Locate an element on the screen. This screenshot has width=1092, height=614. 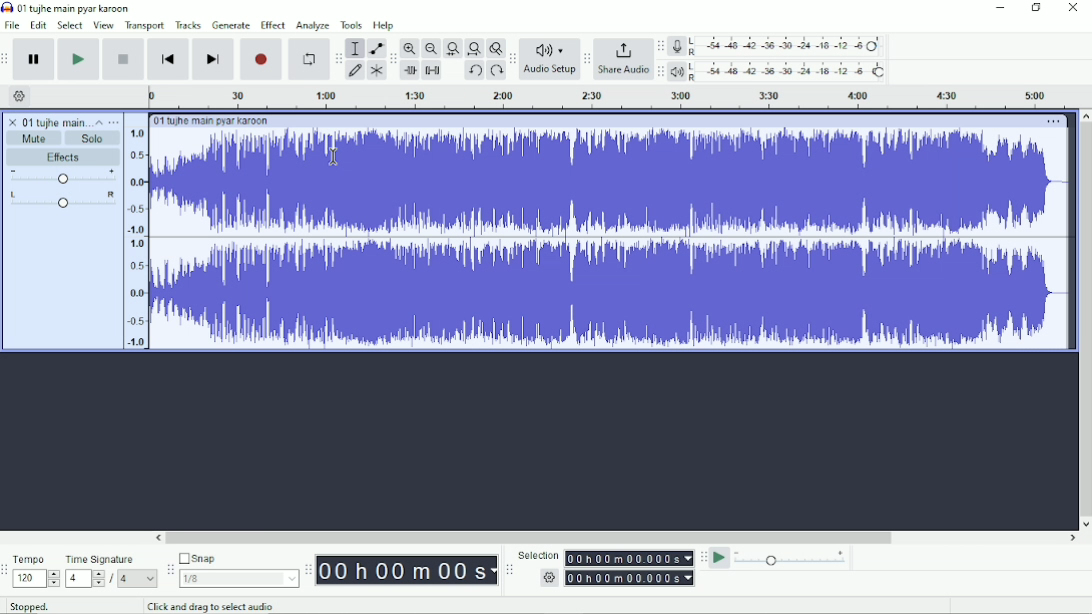
Analyze is located at coordinates (314, 26).